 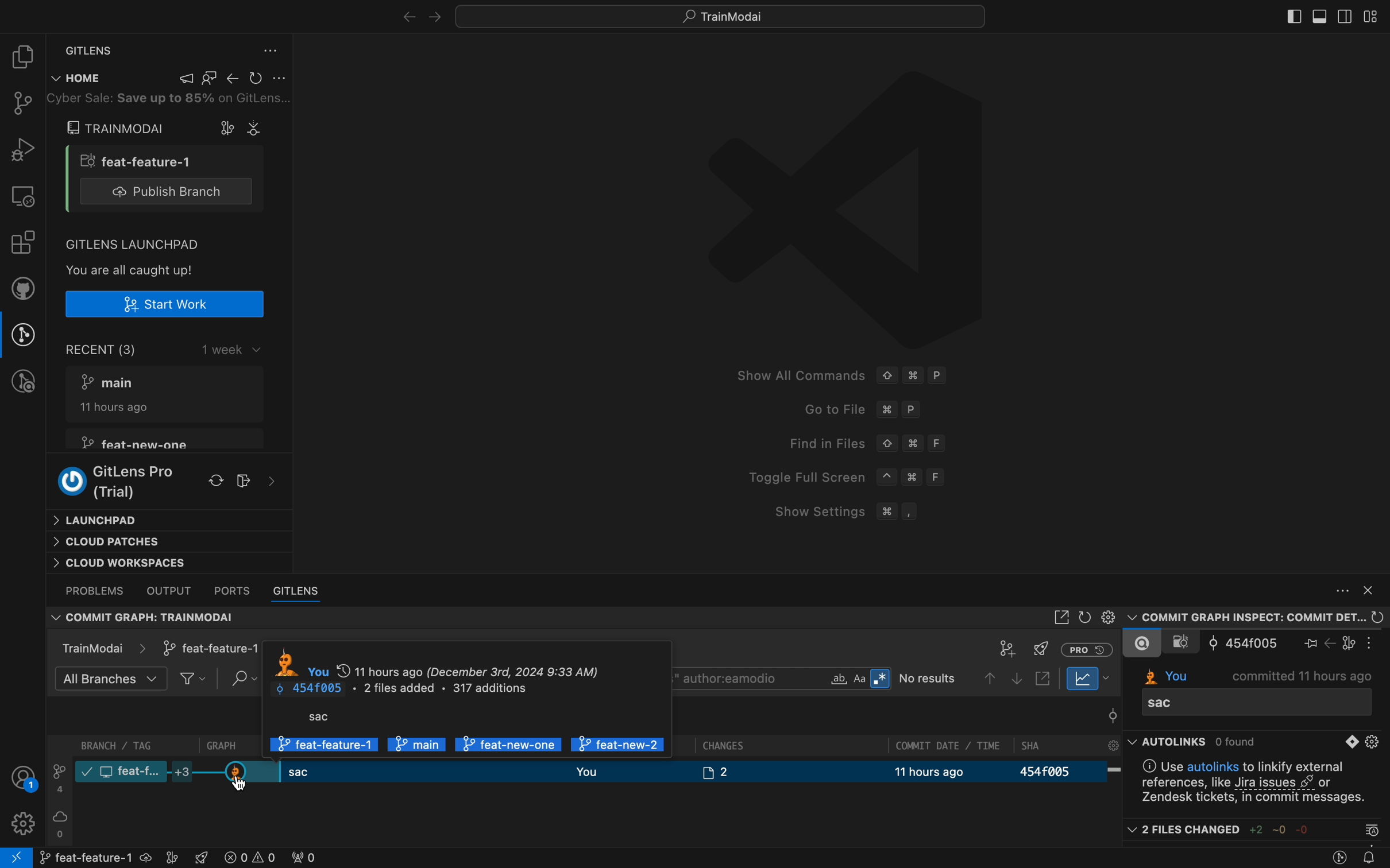 I want to click on Cloud patches, so click(x=145, y=542).